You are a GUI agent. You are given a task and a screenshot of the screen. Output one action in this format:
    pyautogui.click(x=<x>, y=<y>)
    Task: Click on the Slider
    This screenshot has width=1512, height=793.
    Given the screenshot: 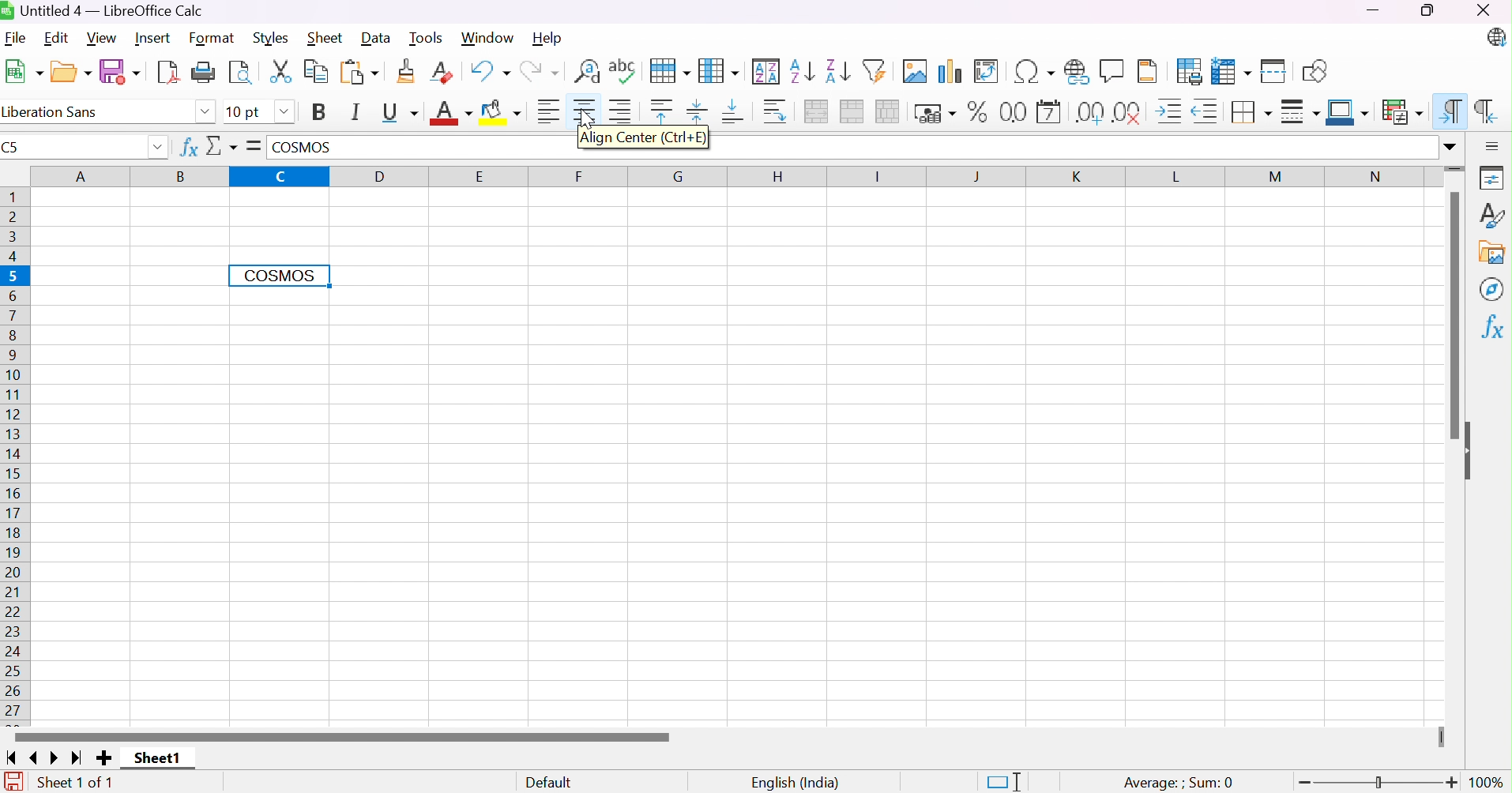 What is the action you would take?
    pyautogui.click(x=1455, y=172)
    